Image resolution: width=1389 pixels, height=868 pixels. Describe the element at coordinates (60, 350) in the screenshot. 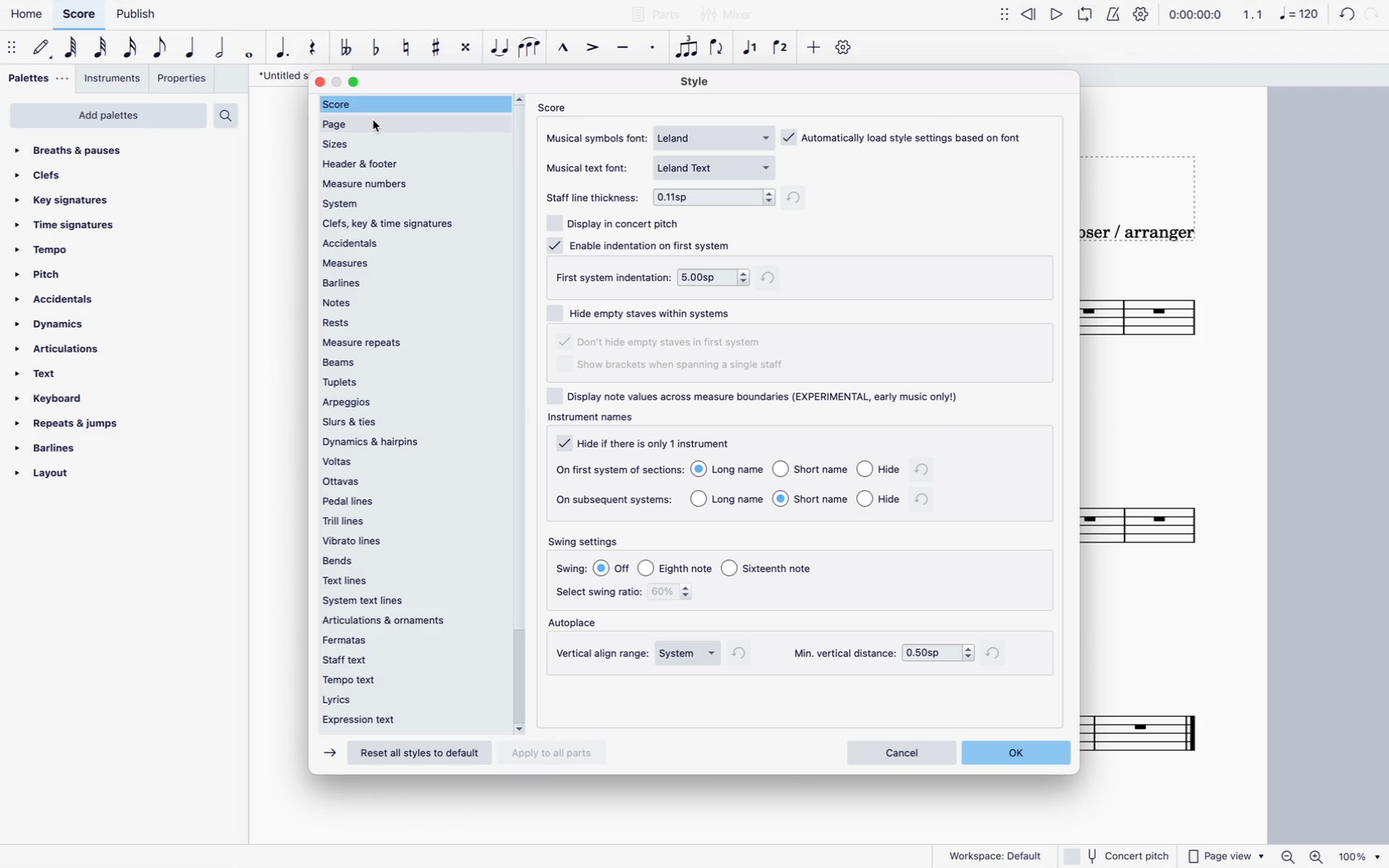

I see `articulations` at that location.